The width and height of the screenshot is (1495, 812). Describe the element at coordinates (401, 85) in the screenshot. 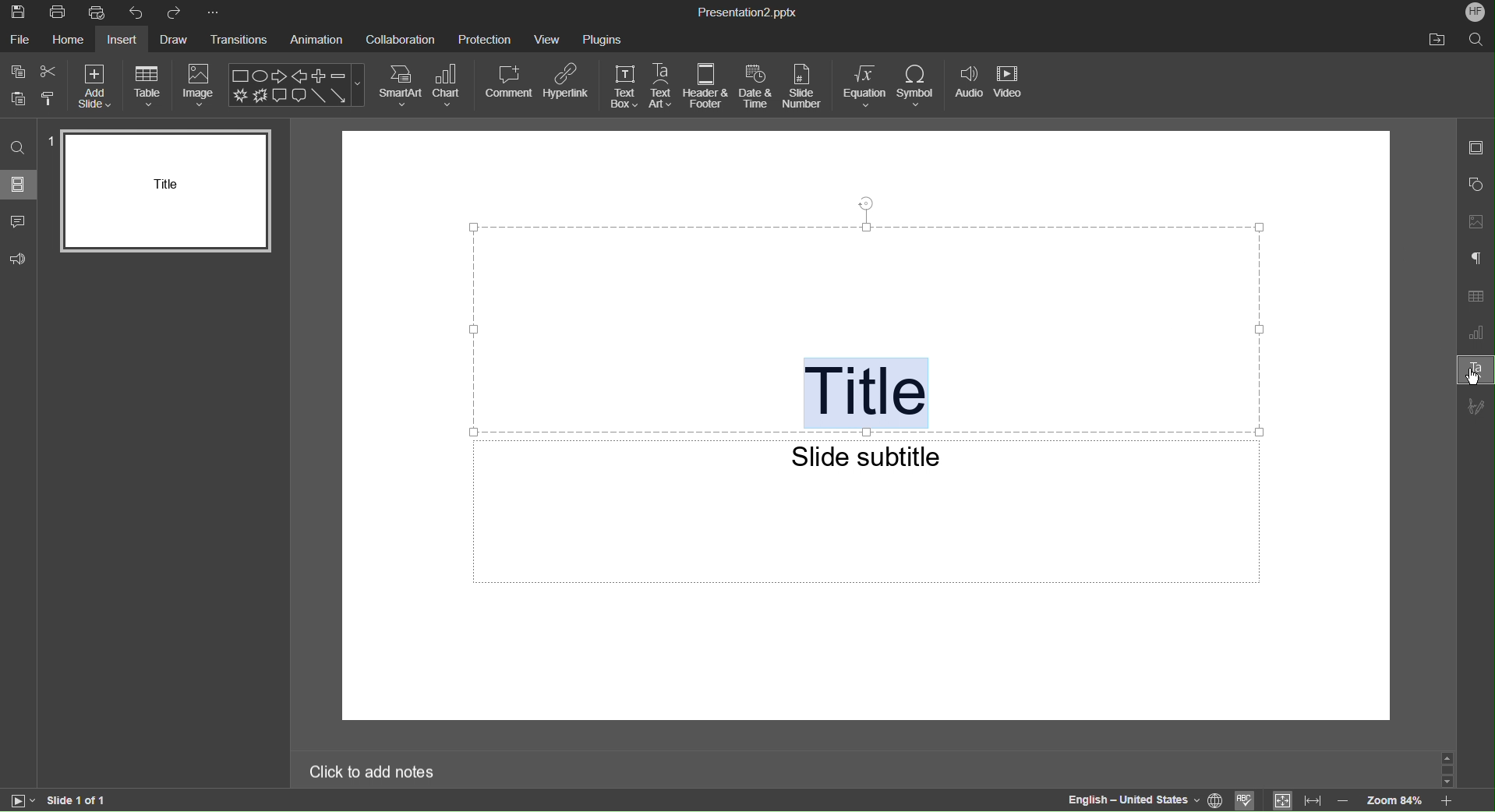

I see `SmartArt` at that location.